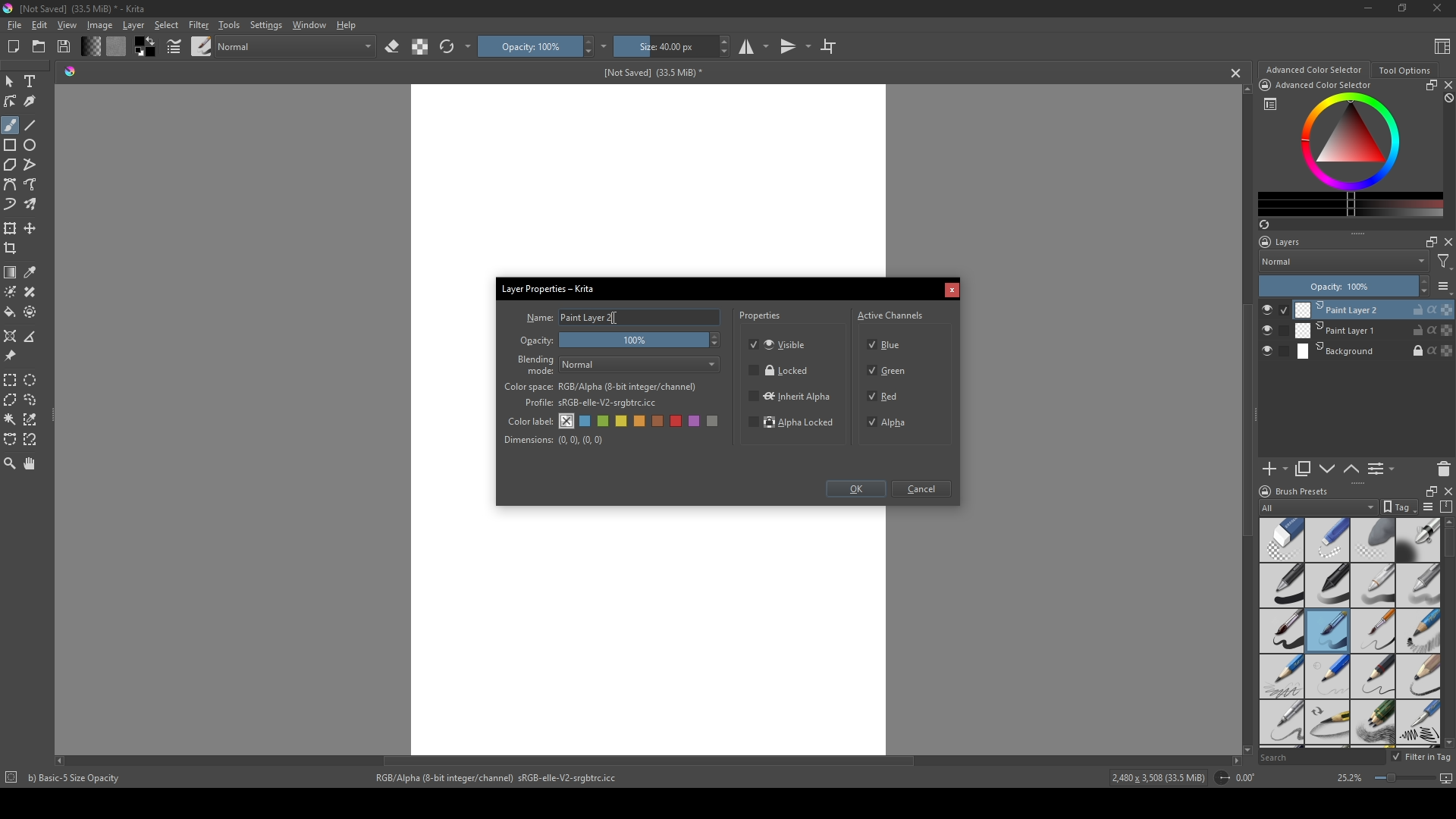 This screenshot has height=819, width=1456. Describe the element at coordinates (828, 45) in the screenshot. I see `crop` at that location.